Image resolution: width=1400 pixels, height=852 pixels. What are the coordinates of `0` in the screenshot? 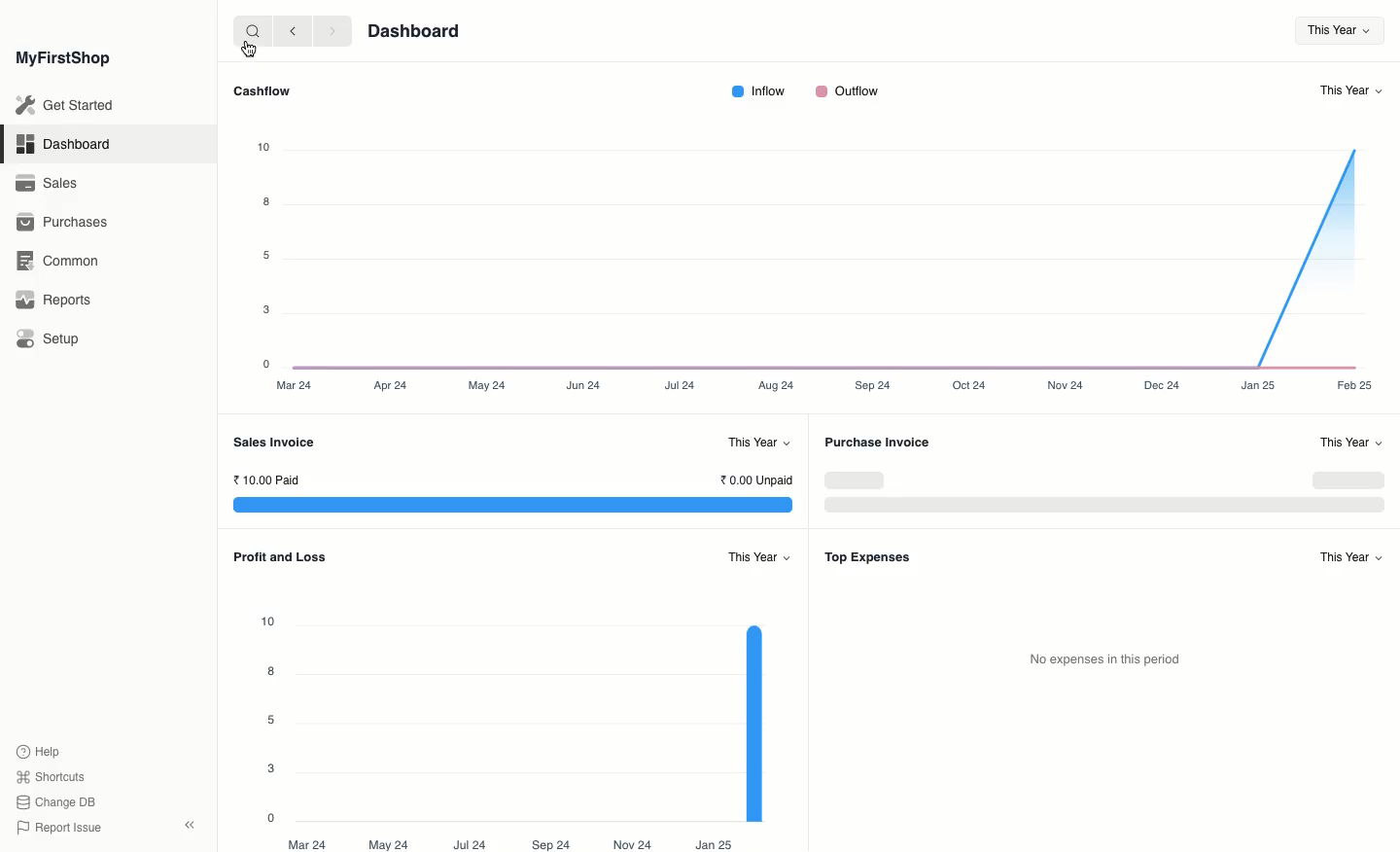 It's located at (264, 362).